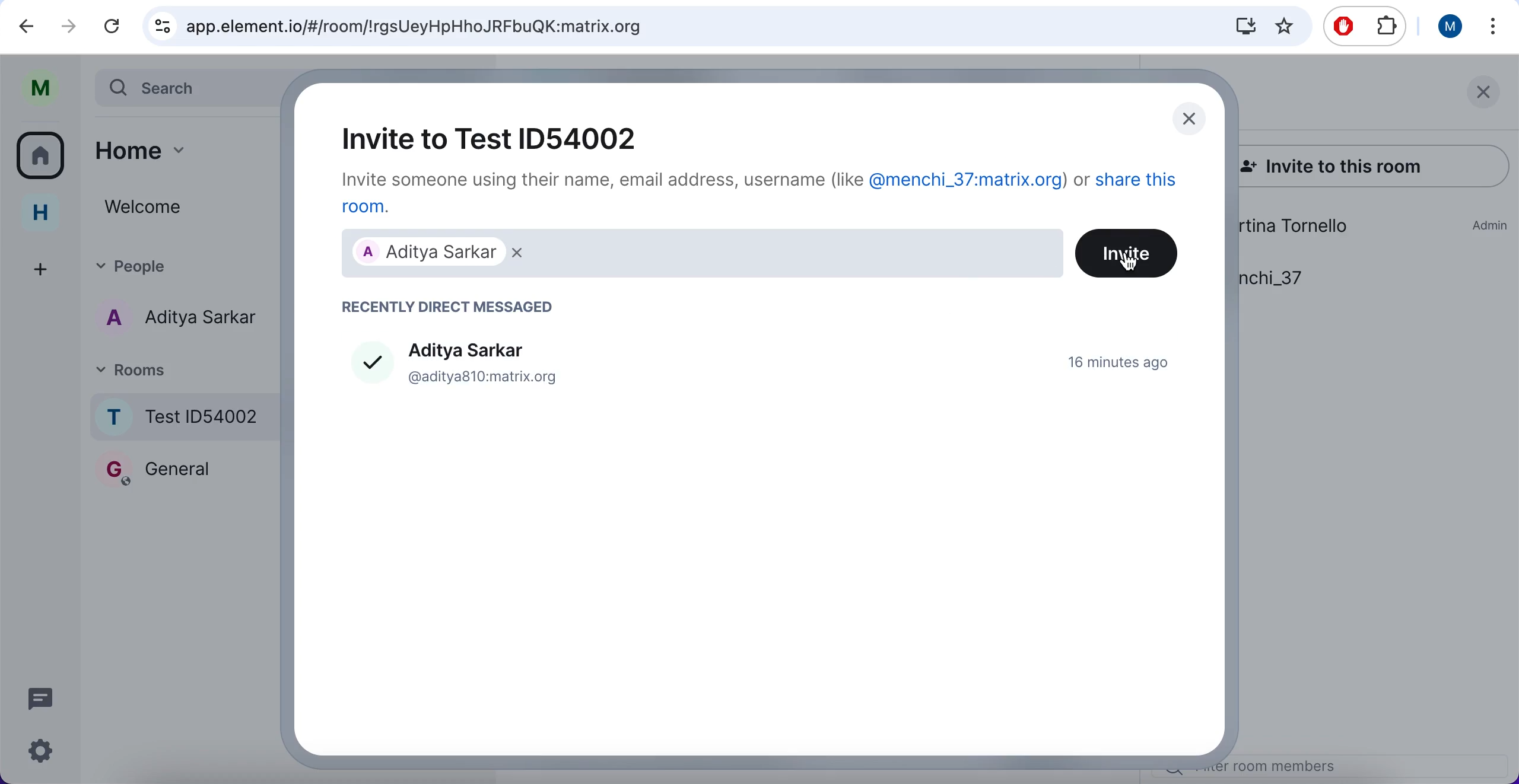 The width and height of the screenshot is (1519, 784). What do you see at coordinates (773, 198) in the screenshot?
I see `invite someone using their name` at bounding box center [773, 198].